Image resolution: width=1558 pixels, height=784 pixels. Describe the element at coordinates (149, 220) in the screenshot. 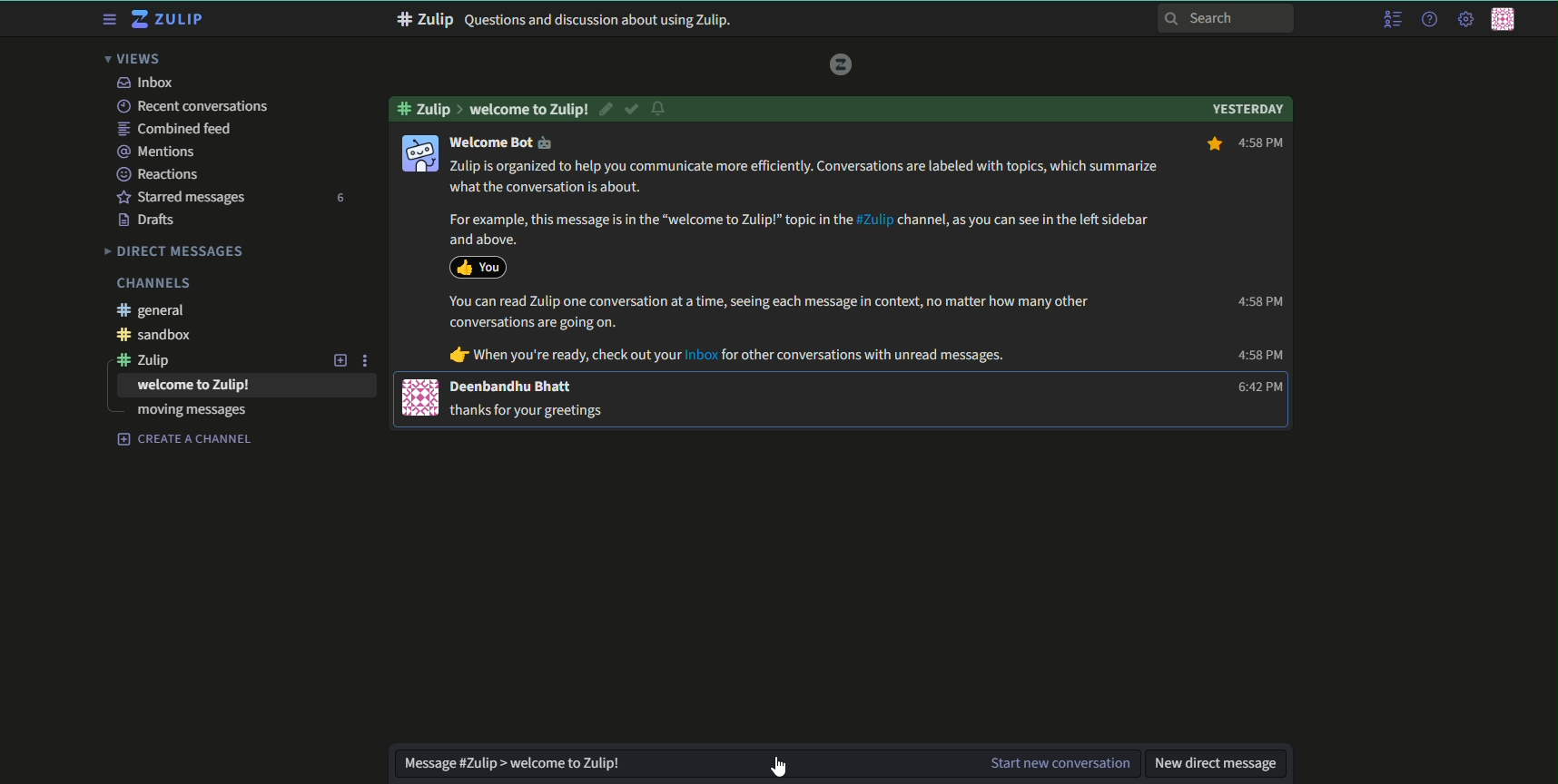

I see `Drafts` at that location.